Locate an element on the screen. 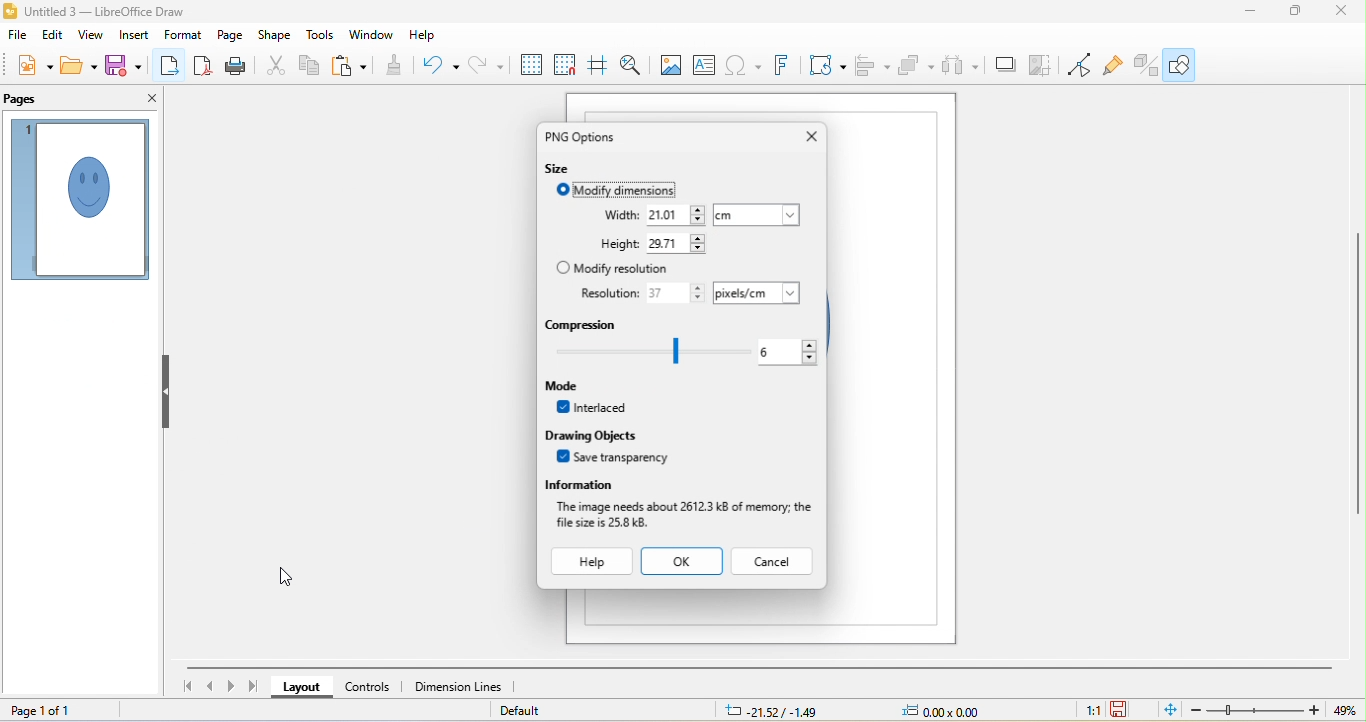  open is located at coordinates (82, 68).